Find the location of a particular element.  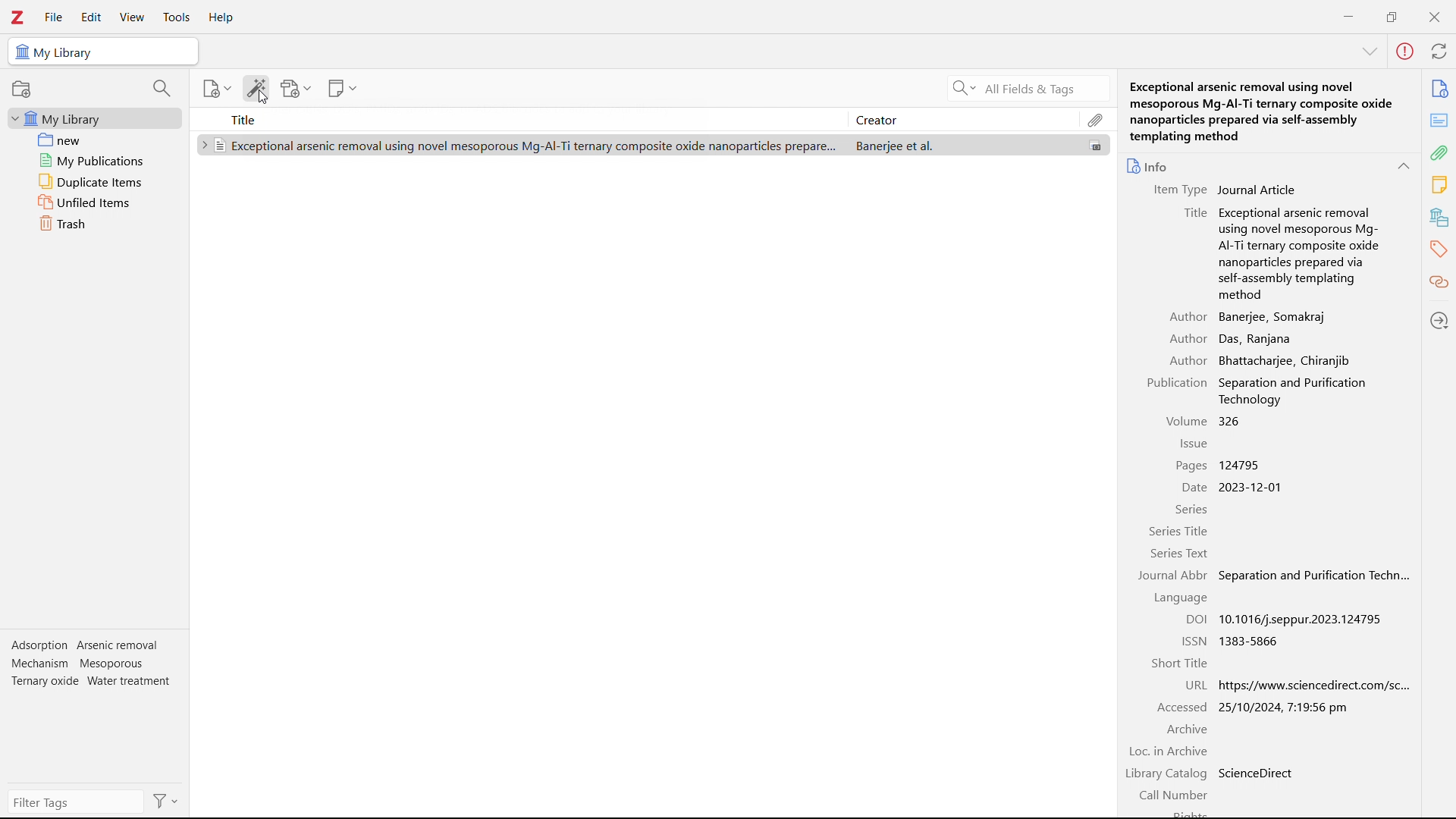

2023-12-01 is located at coordinates (1253, 488).